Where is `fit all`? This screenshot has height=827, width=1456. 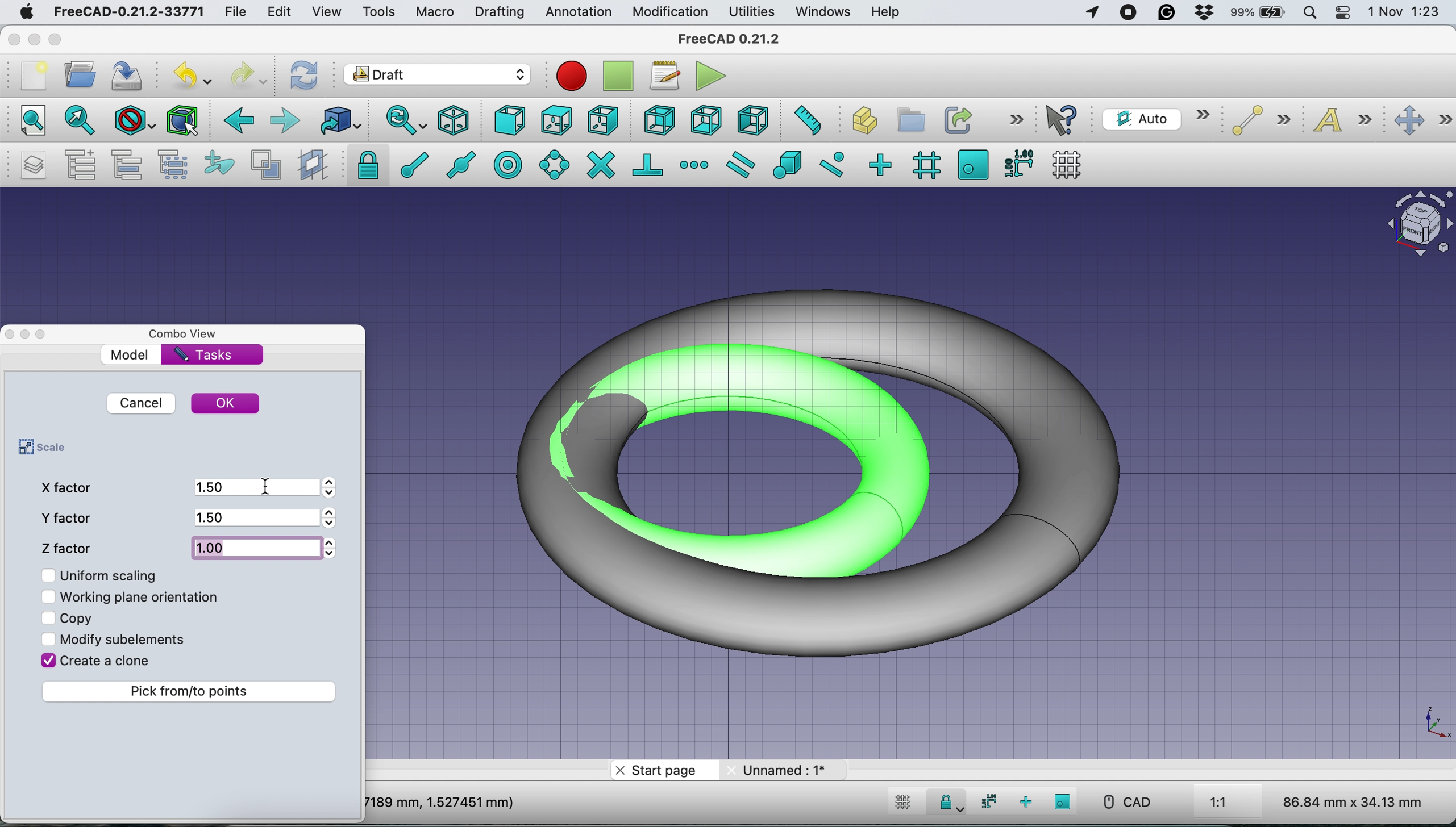 fit all is located at coordinates (30, 122).